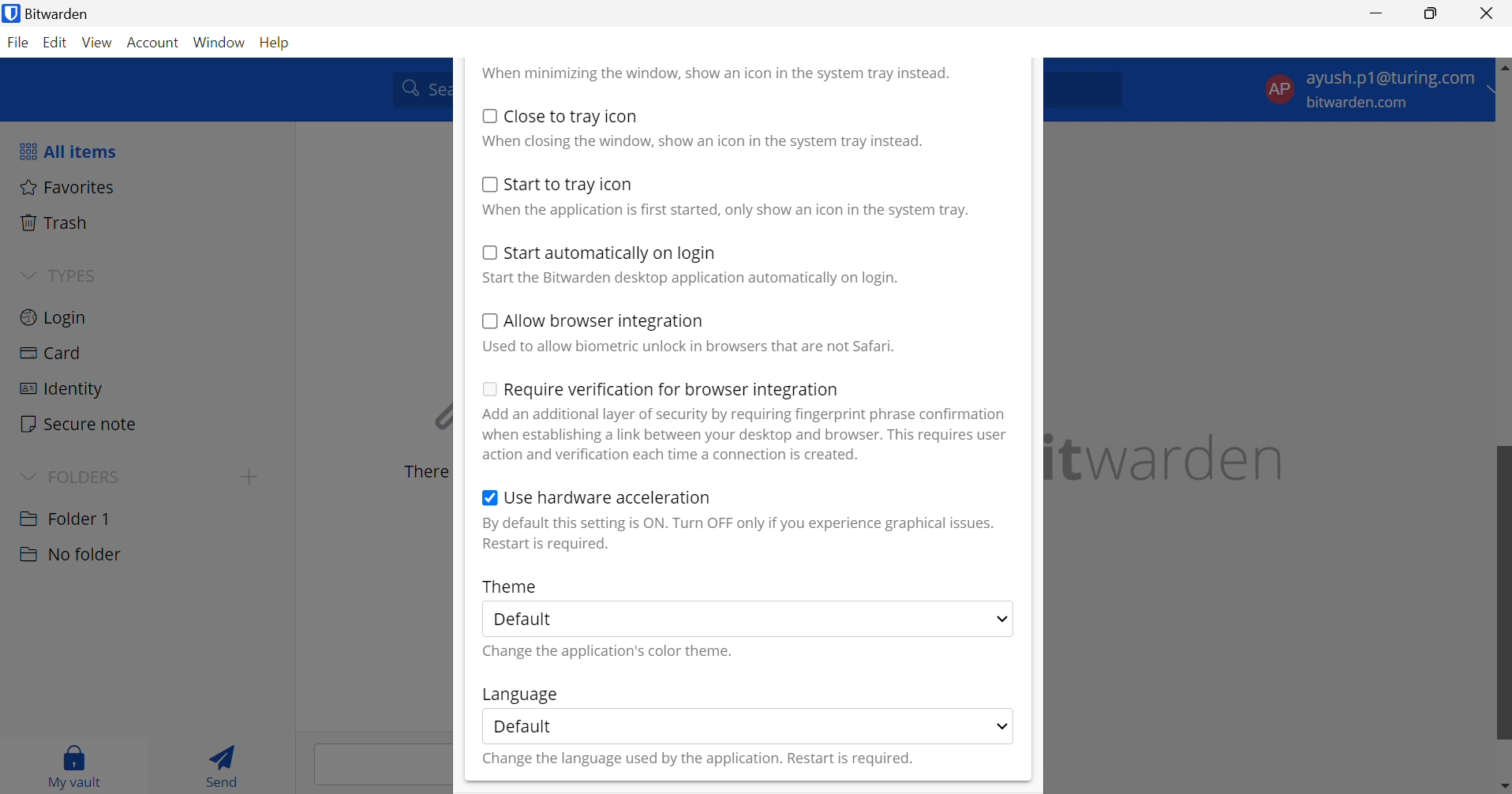  I want to click on Secure note, so click(80, 425).